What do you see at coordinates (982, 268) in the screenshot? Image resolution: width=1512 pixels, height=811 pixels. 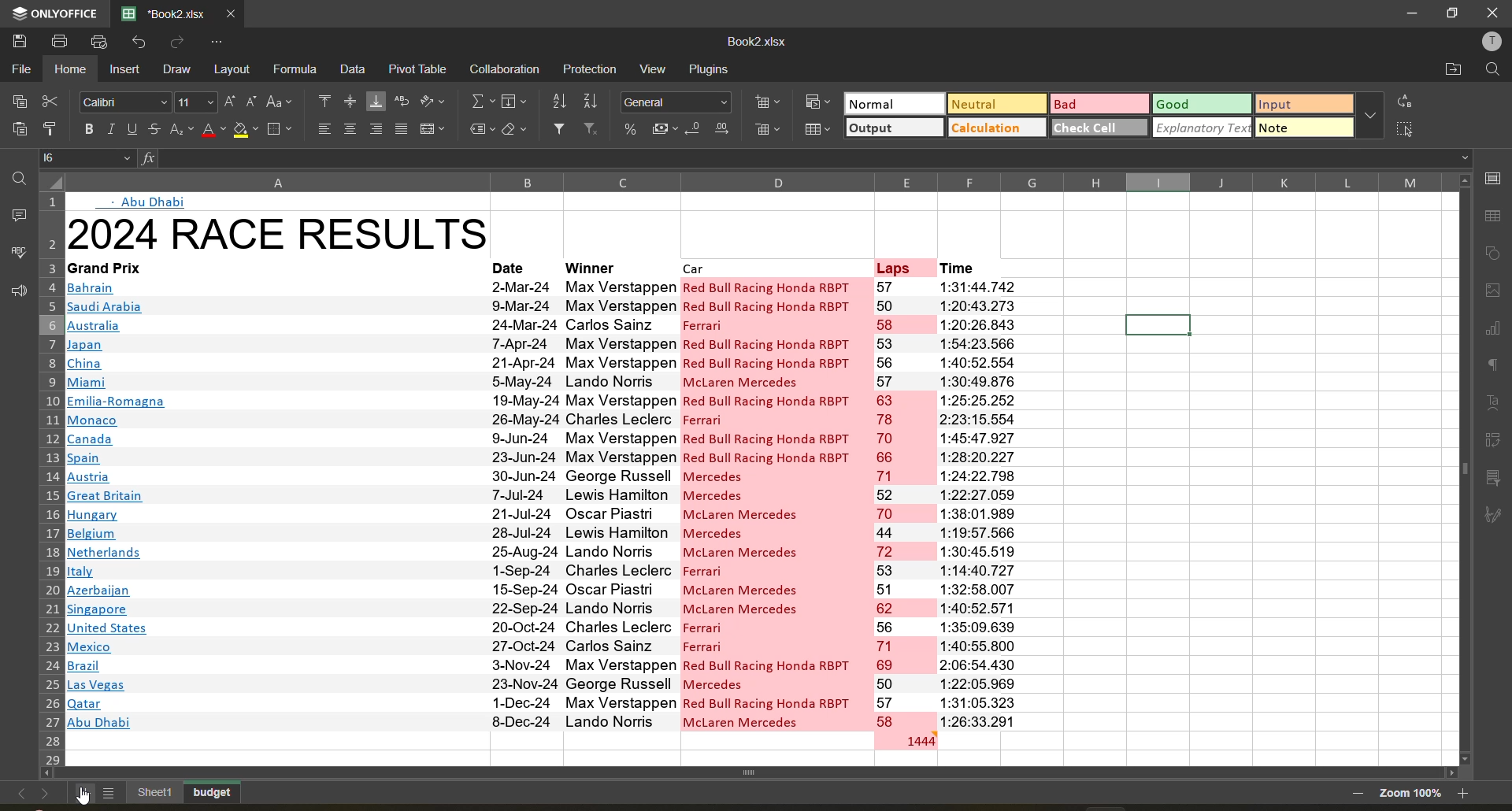 I see `time` at bounding box center [982, 268].